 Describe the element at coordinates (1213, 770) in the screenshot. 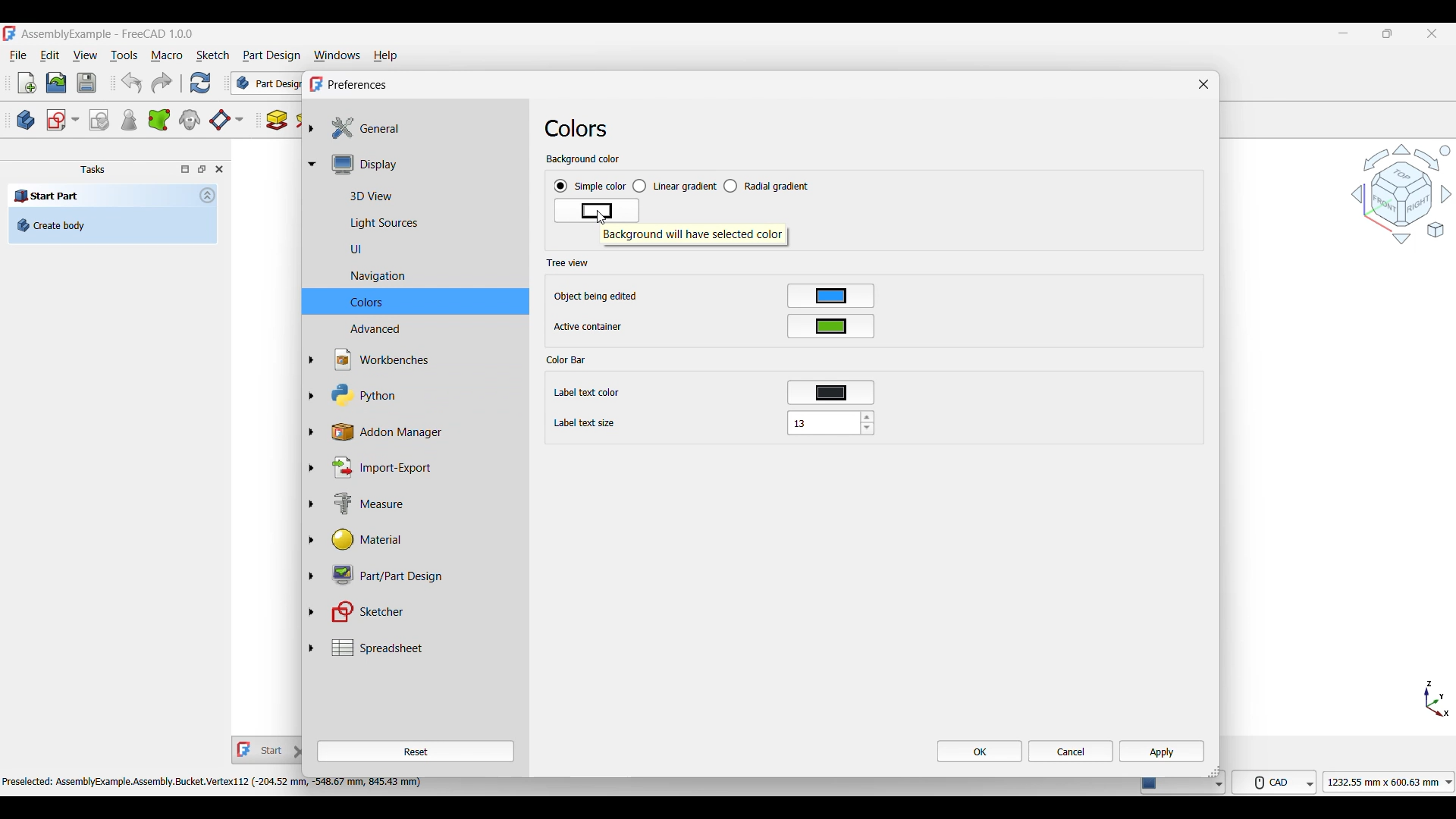

I see `Change box dimension` at that location.